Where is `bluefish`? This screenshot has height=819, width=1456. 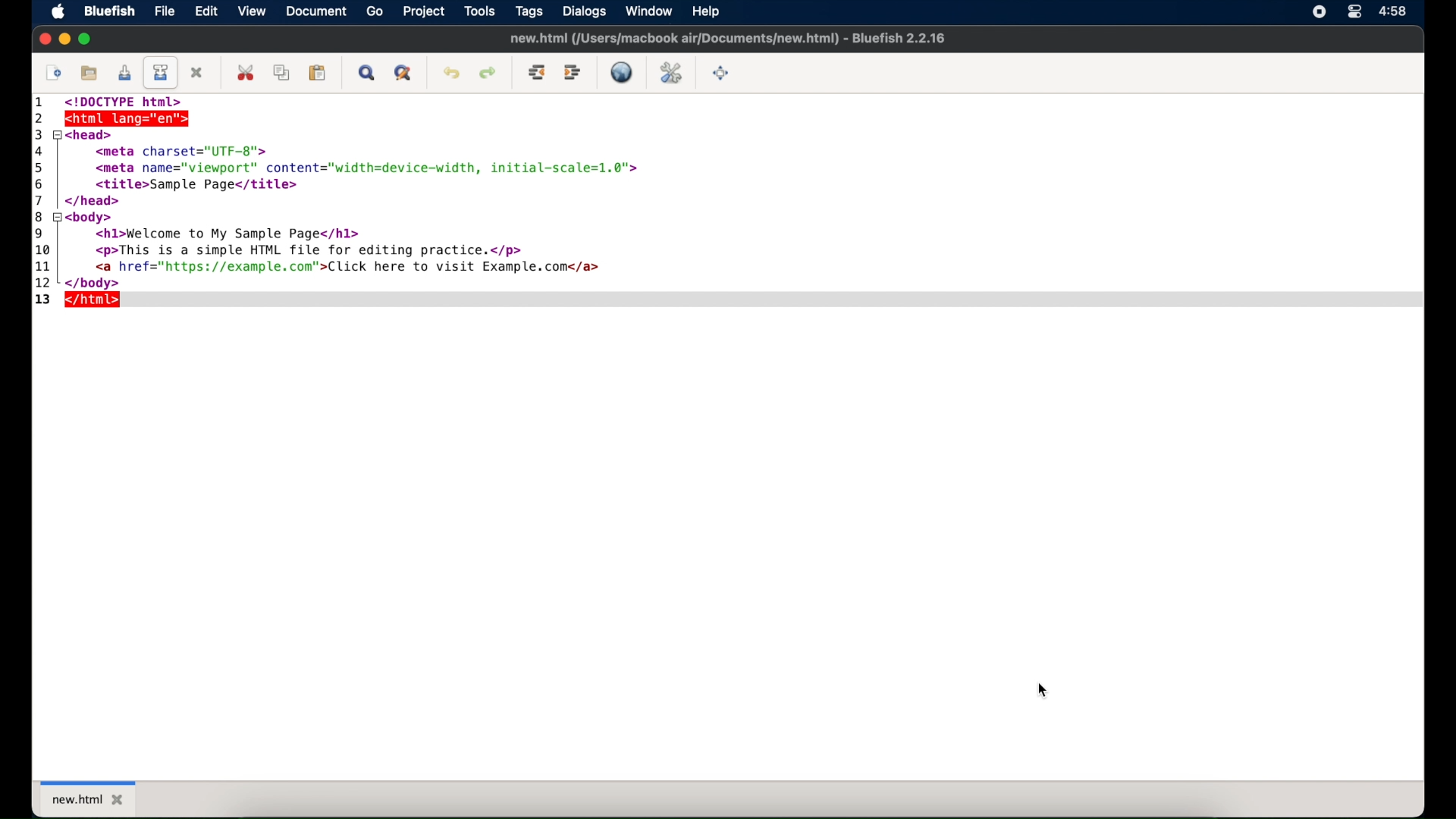 bluefish is located at coordinates (110, 11).